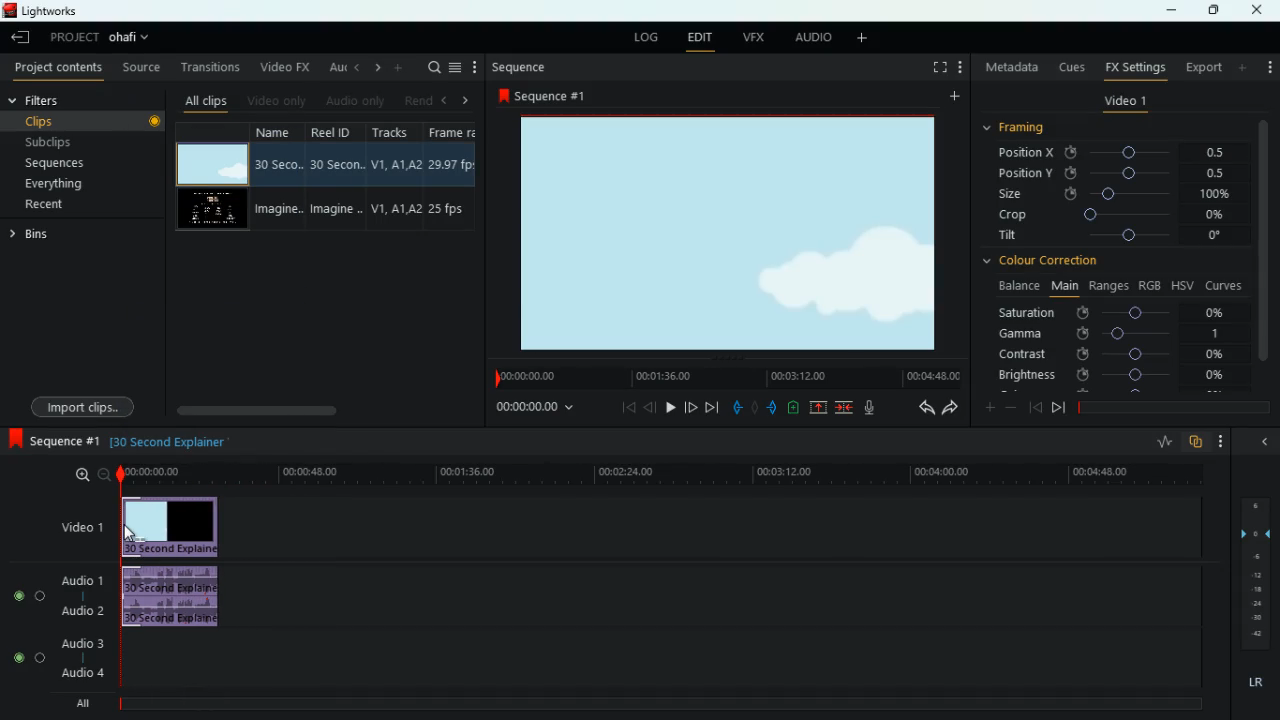  I want to click on all, so click(78, 705).